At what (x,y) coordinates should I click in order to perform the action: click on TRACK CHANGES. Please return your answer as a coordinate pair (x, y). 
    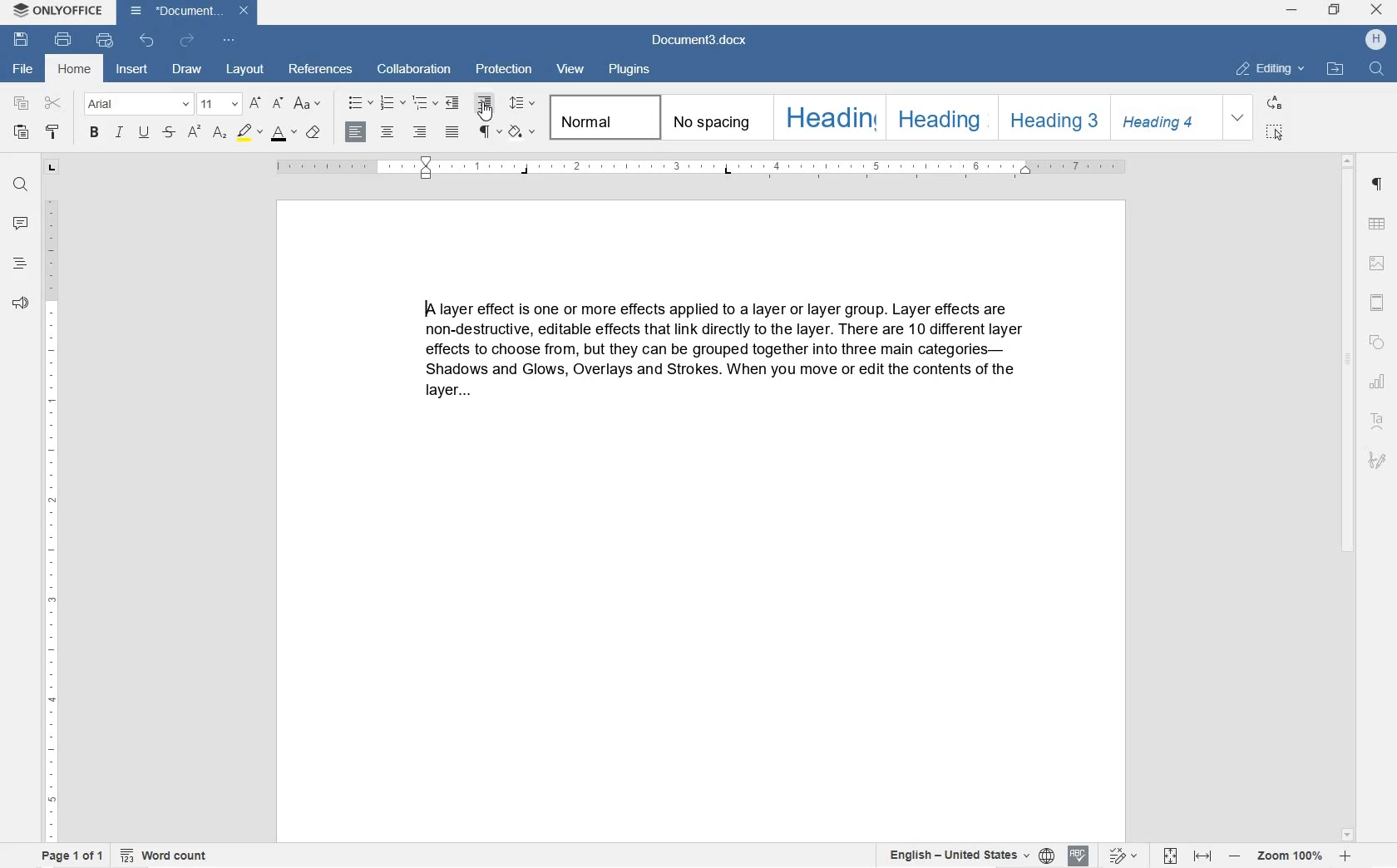
    Looking at the image, I should click on (1120, 855).